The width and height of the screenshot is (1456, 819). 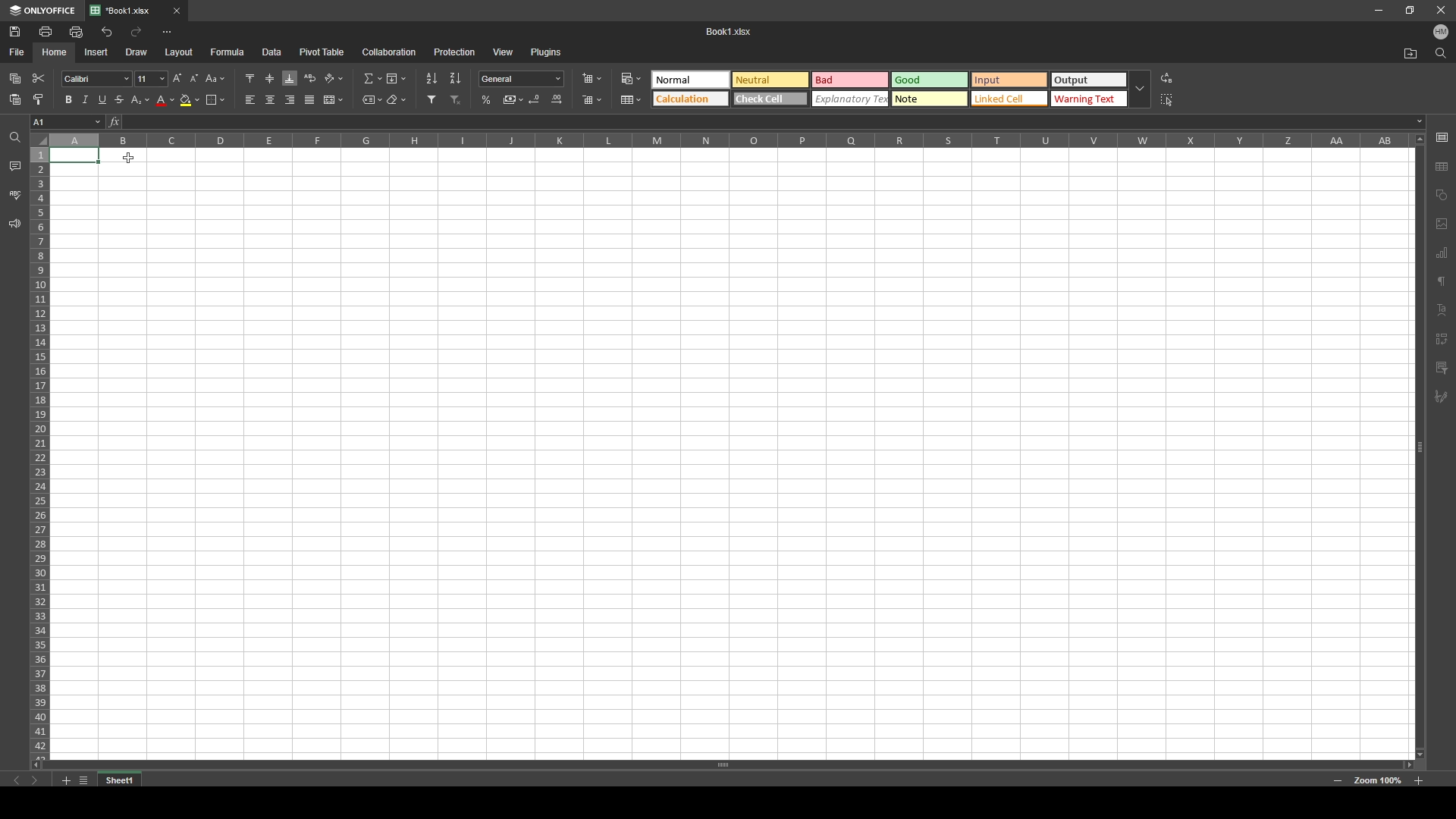 I want to click on comma style, so click(x=513, y=99).